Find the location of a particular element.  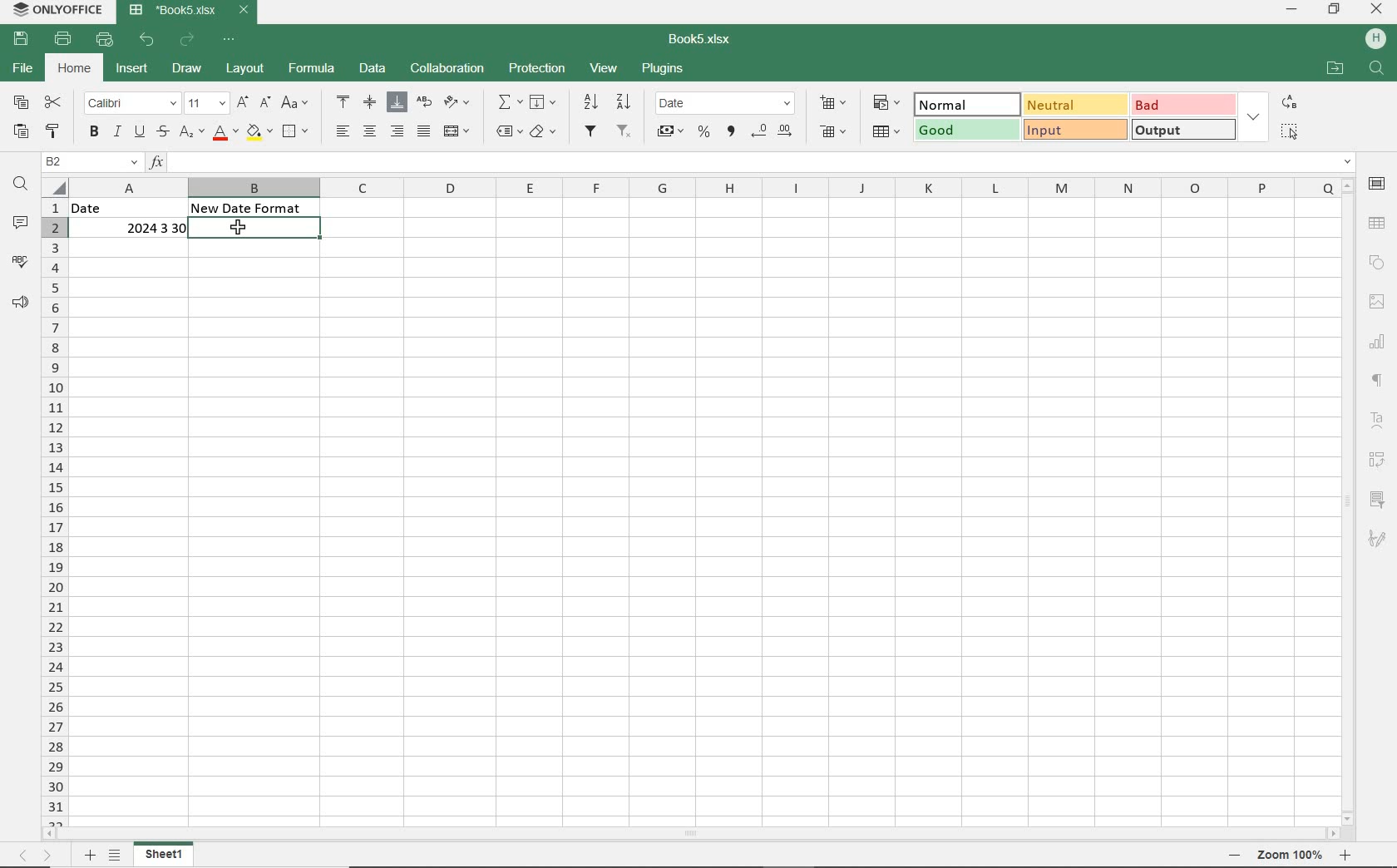

FORMAT AS TABLE TEMPLATE is located at coordinates (886, 131).